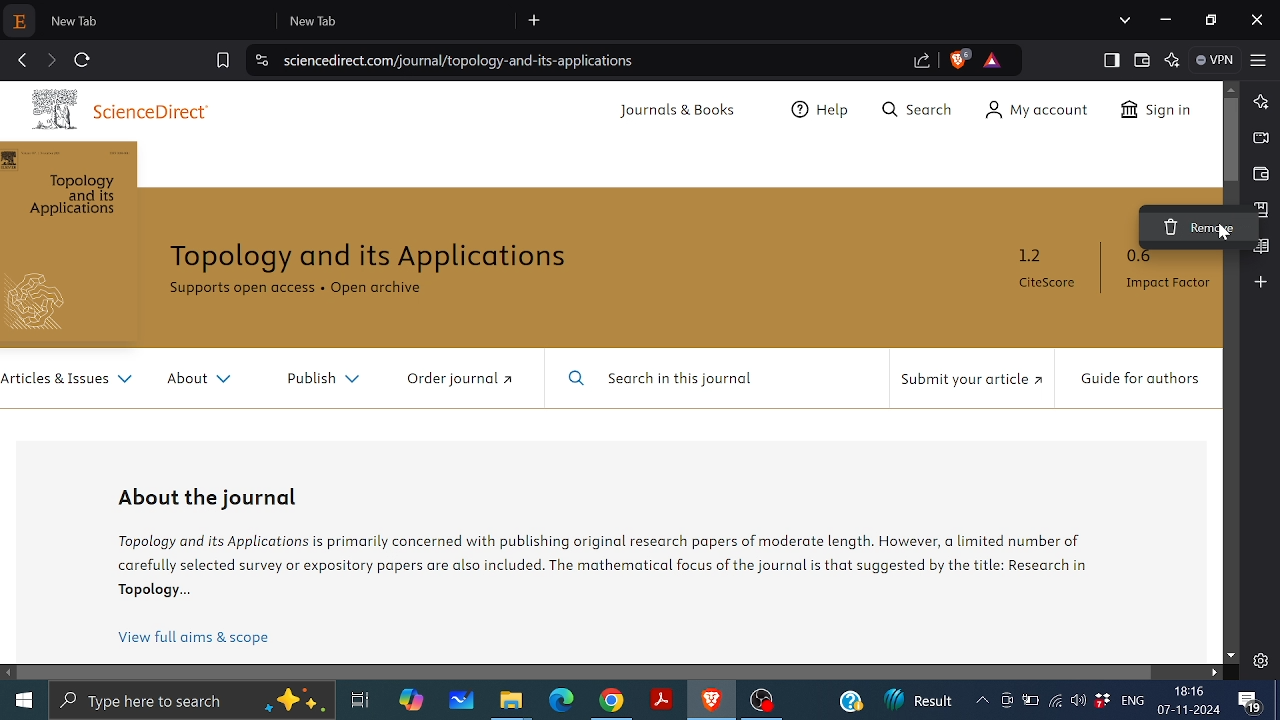  I want to click on Move up, so click(1232, 90).